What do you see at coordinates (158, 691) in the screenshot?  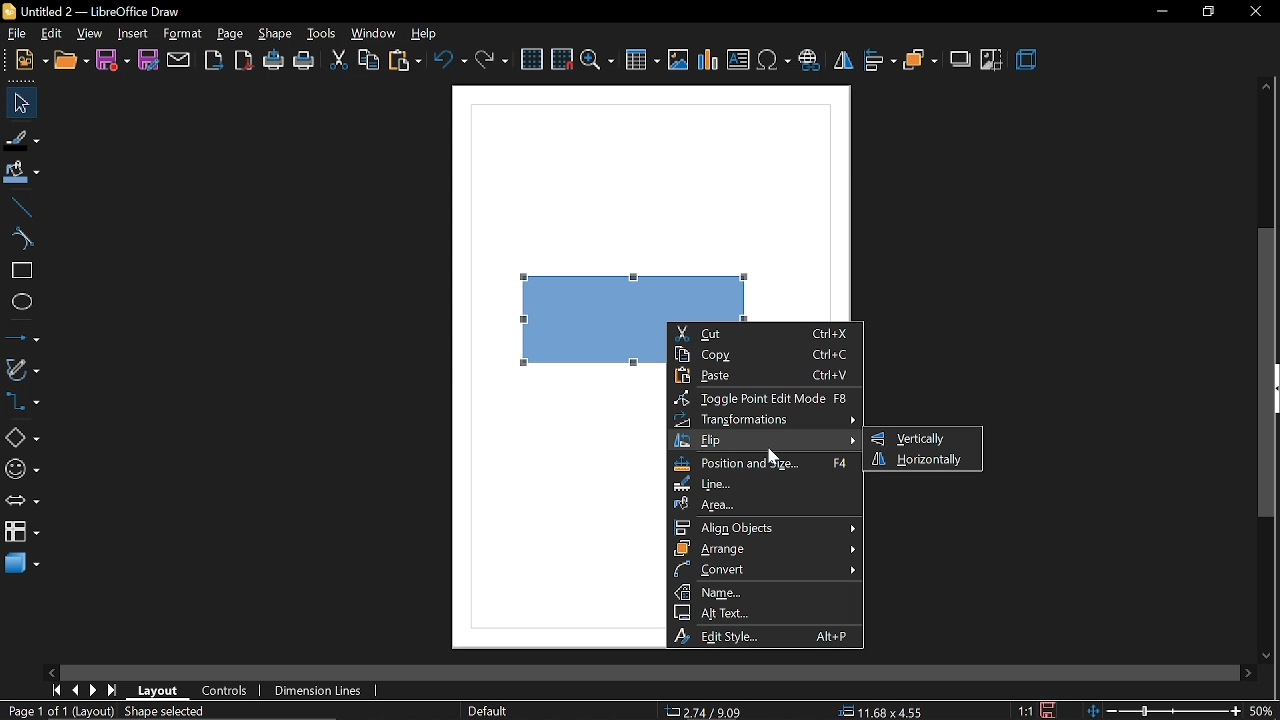 I see `layout` at bounding box center [158, 691].